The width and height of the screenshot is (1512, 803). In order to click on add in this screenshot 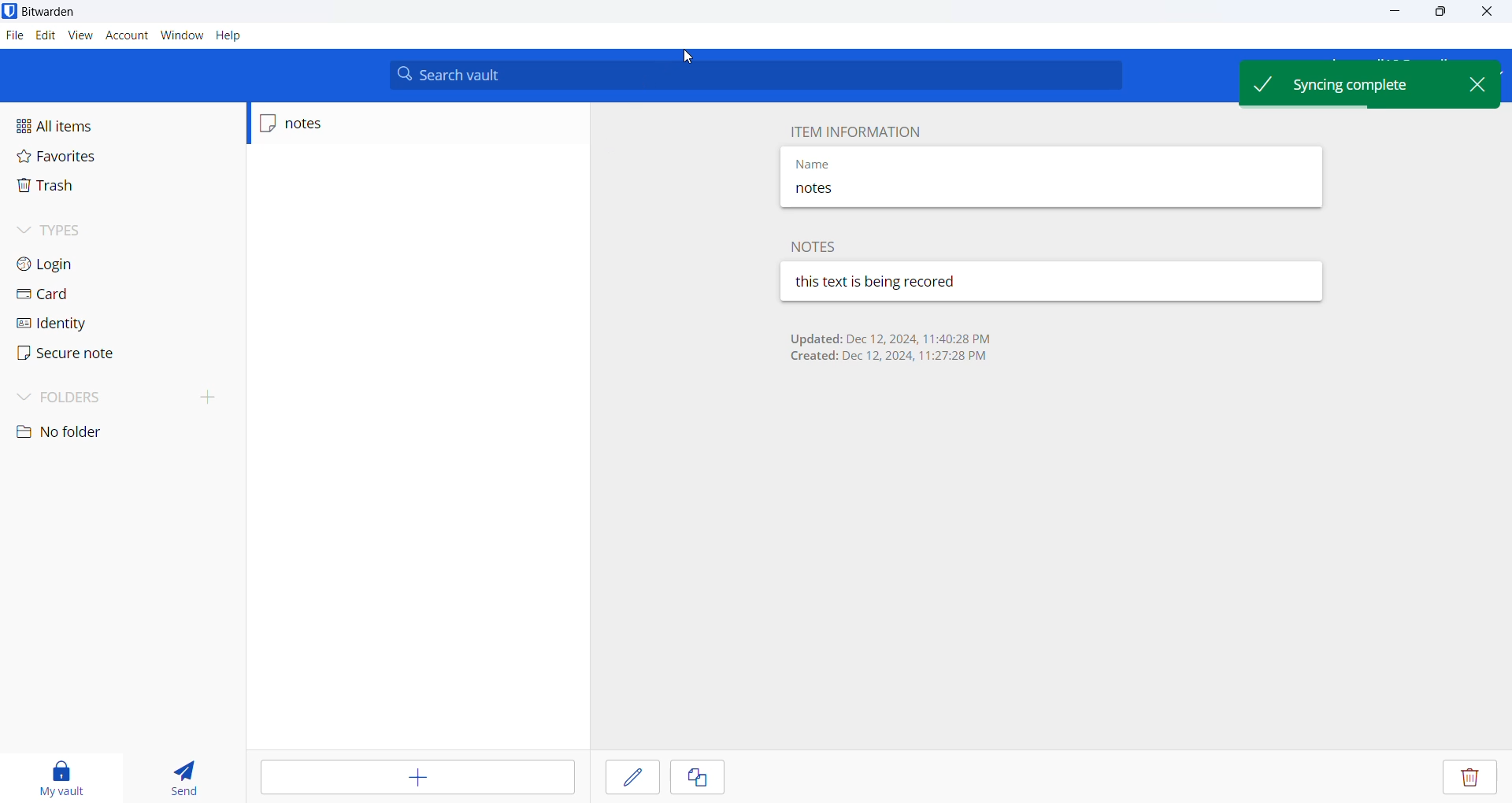, I will do `click(420, 778)`.